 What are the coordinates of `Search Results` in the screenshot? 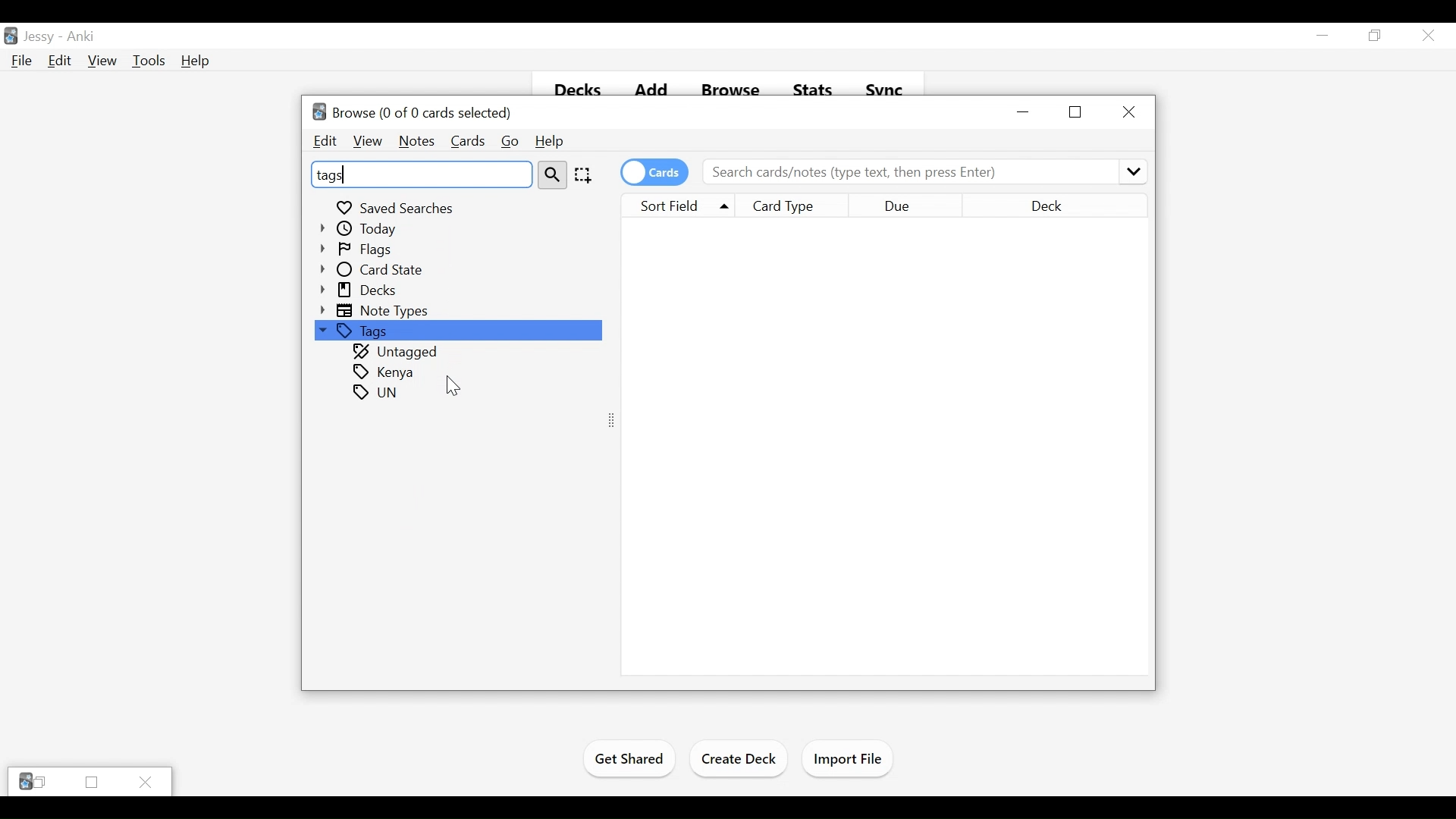 It's located at (884, 447).